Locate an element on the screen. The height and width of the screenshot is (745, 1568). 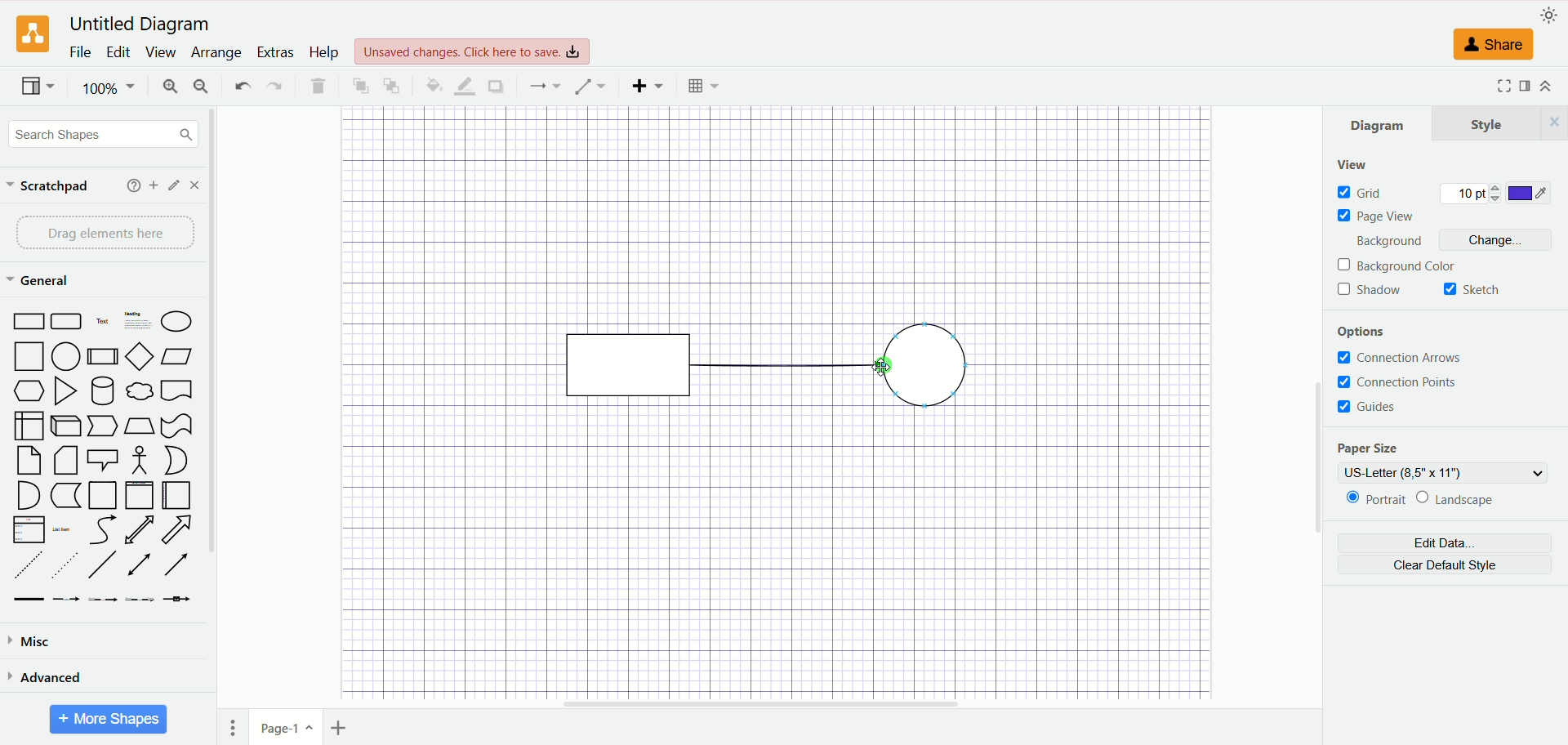
connection points is located at coordinates (1396, 381).